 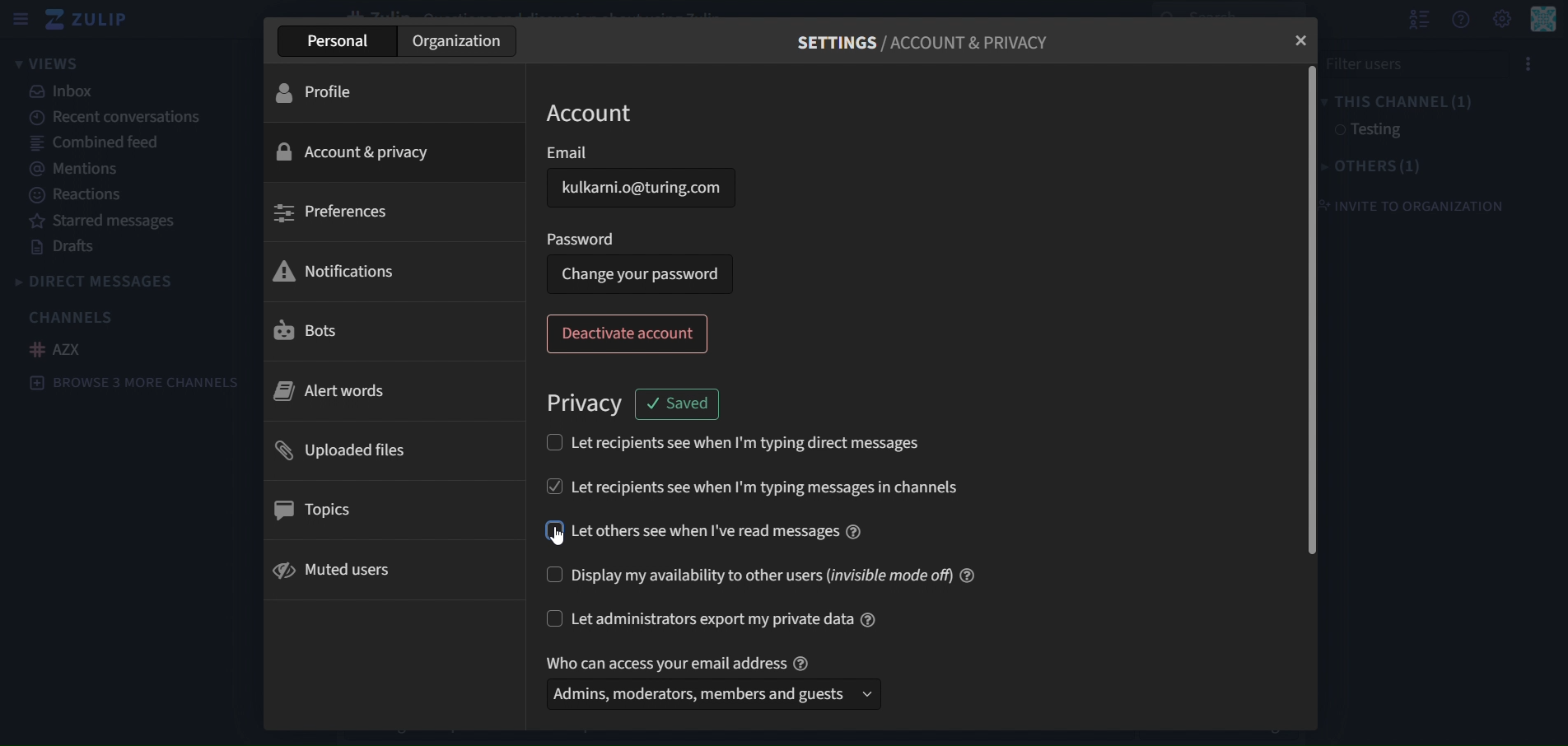 What do you see at coordinates (1414, 20) in the screenshot?
I see `hide user list` at bounding box center [1414, 20].